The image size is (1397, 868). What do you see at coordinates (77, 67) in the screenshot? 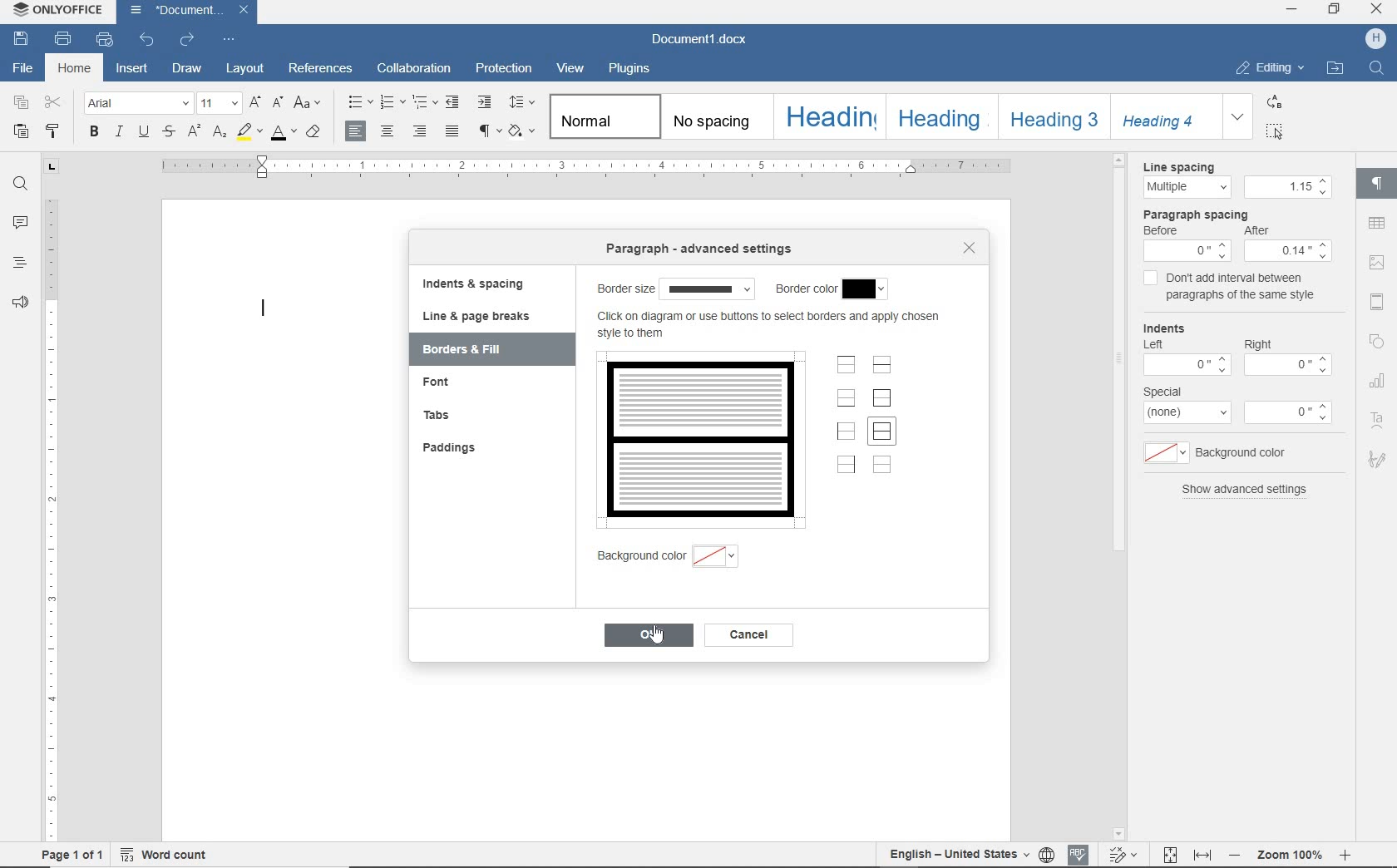
I see `home` at bounding box center [77, 67].